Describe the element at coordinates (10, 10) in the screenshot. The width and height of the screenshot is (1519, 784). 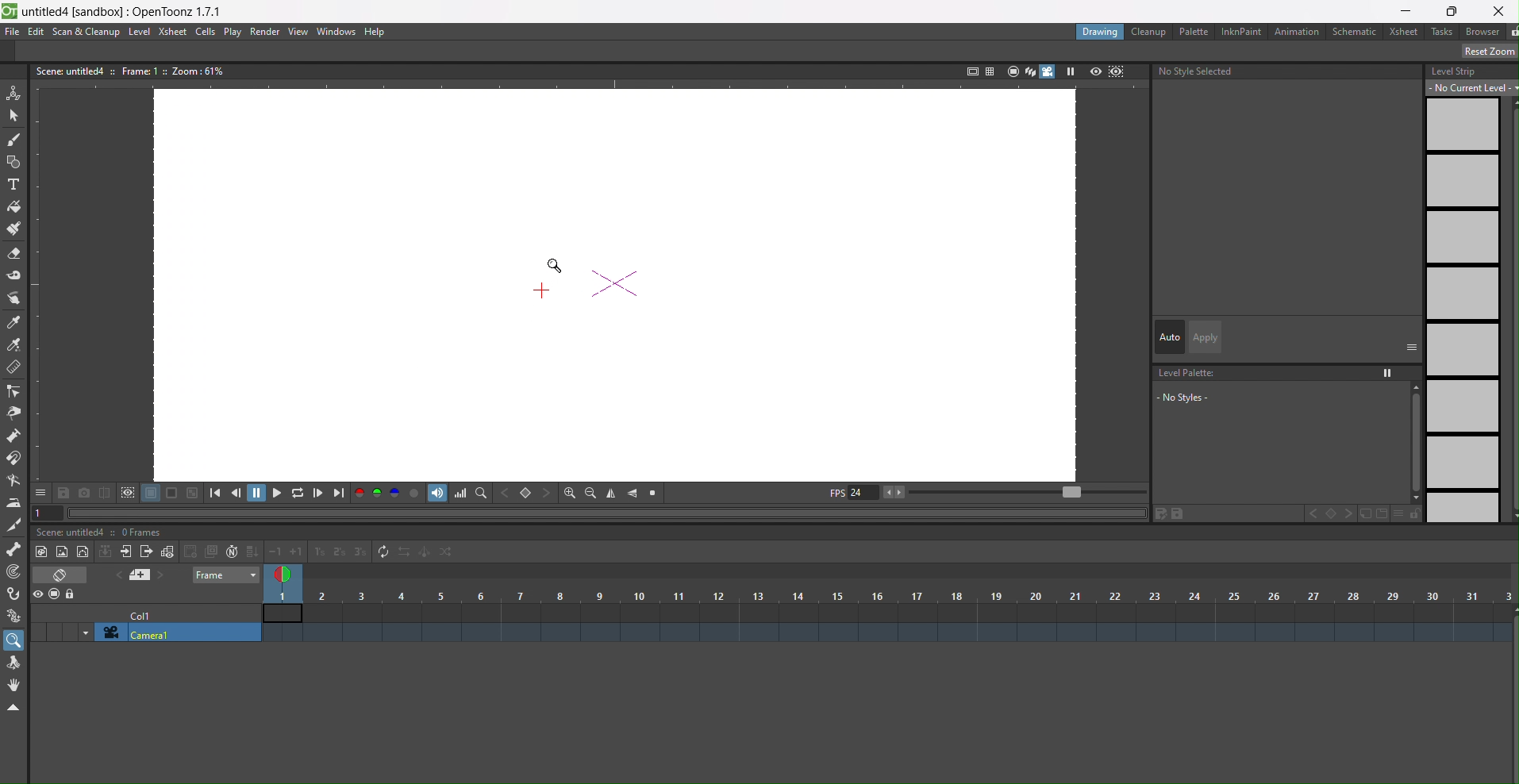
I see `logo` at that location.